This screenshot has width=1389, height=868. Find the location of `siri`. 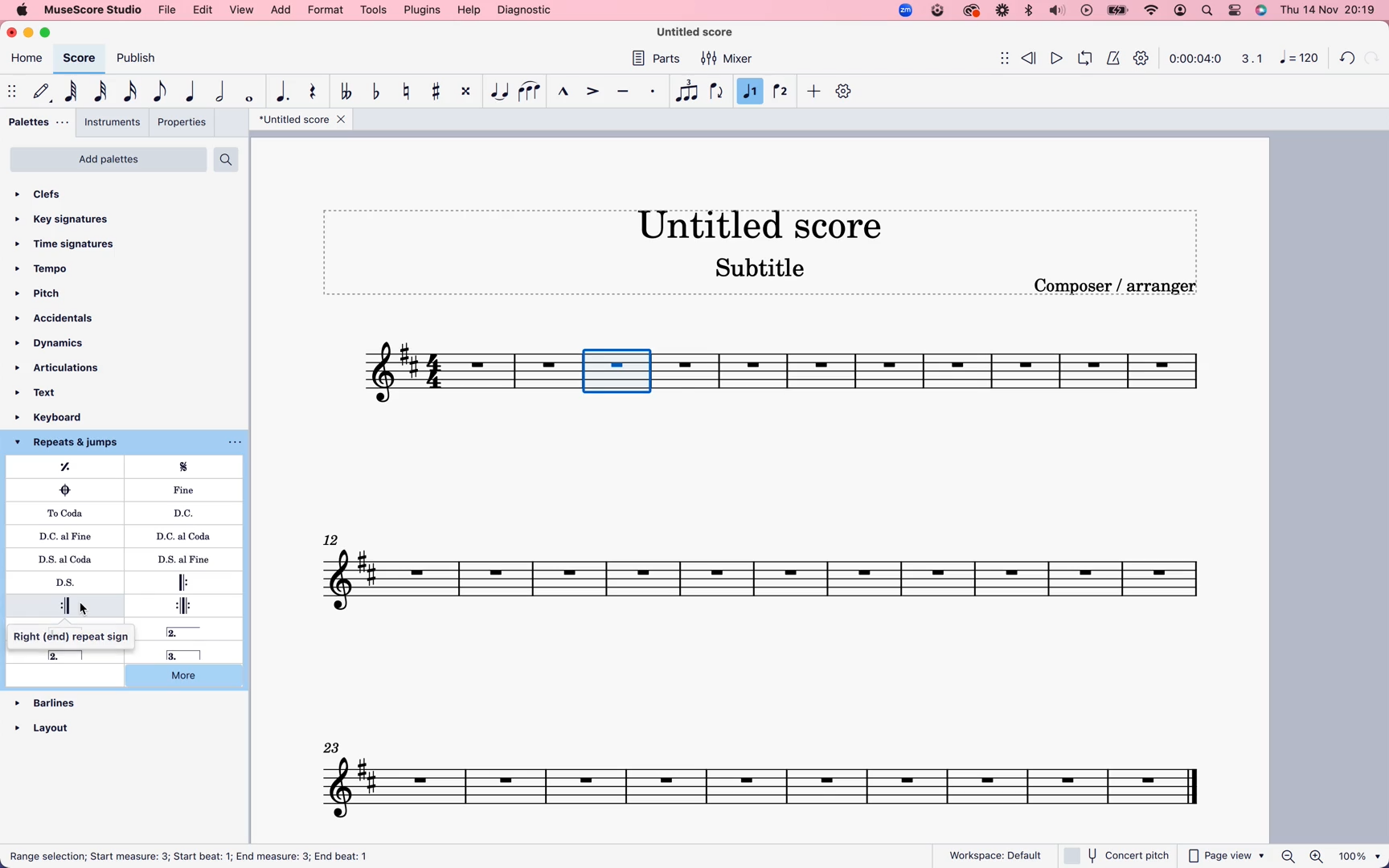

siri is located at coordinates (1259, 10).